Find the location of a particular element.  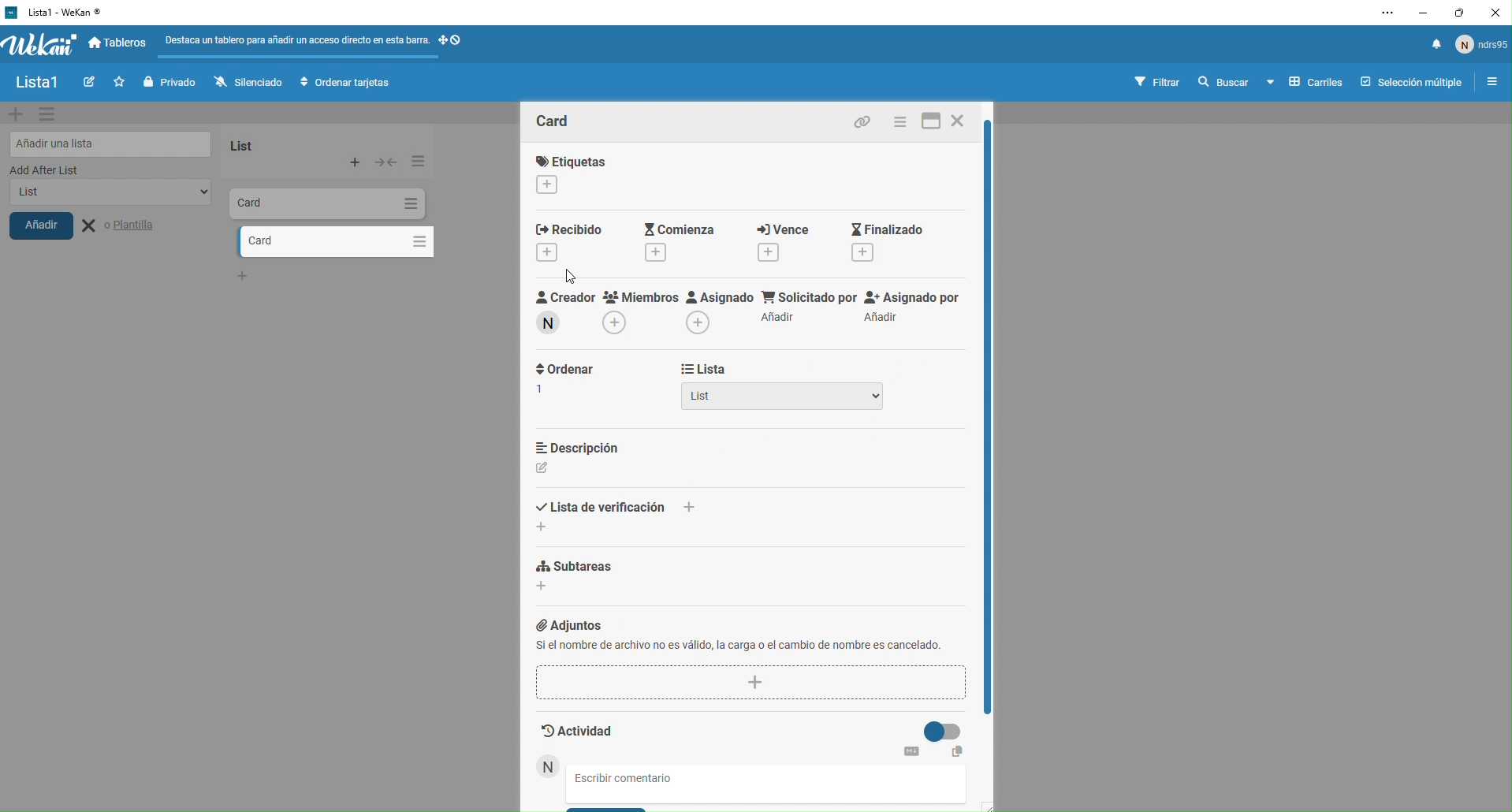

card is located at coordinates (566, 119).